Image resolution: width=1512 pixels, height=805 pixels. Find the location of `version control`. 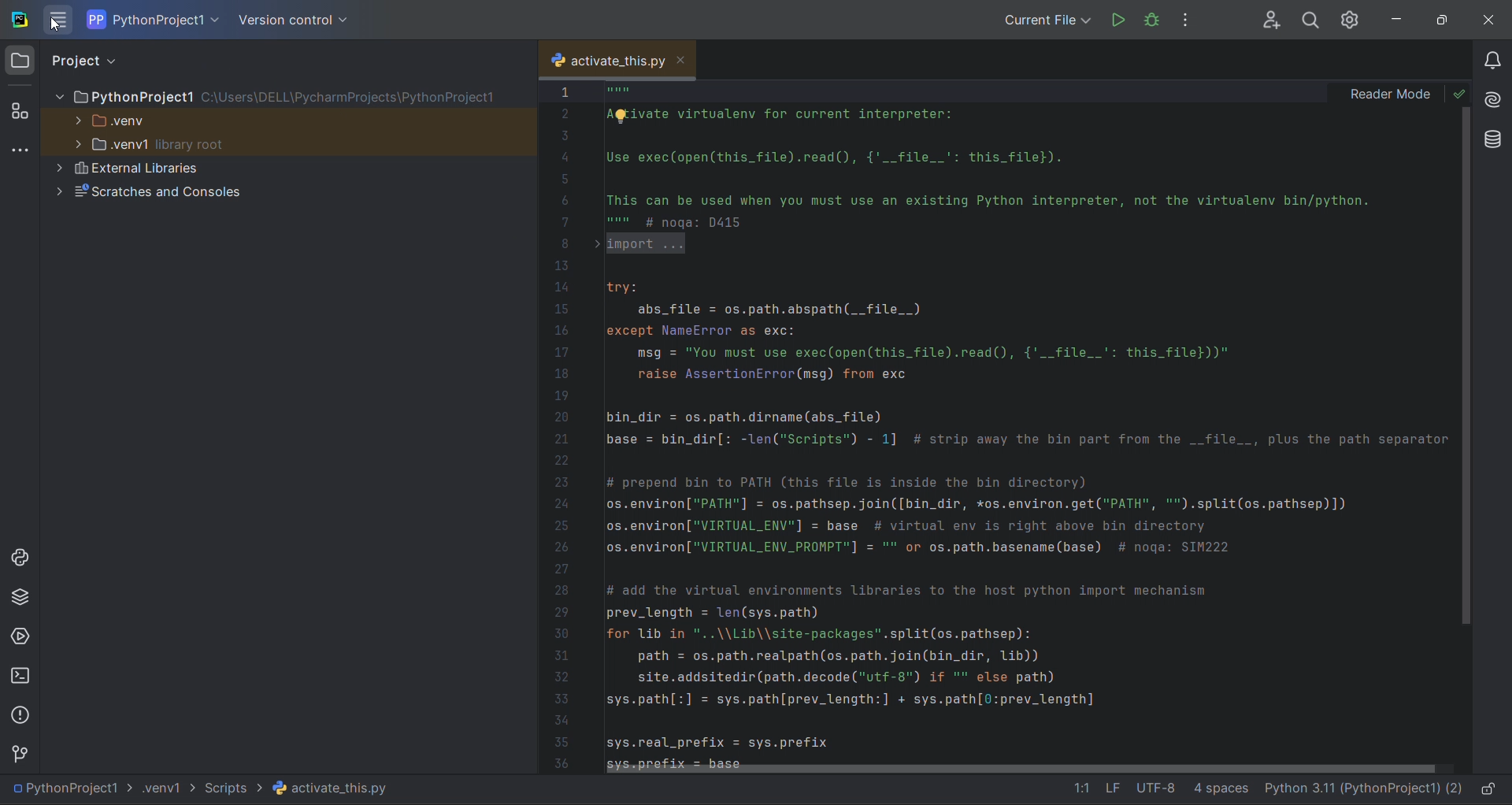

version control is located at coordinates (20, 756).